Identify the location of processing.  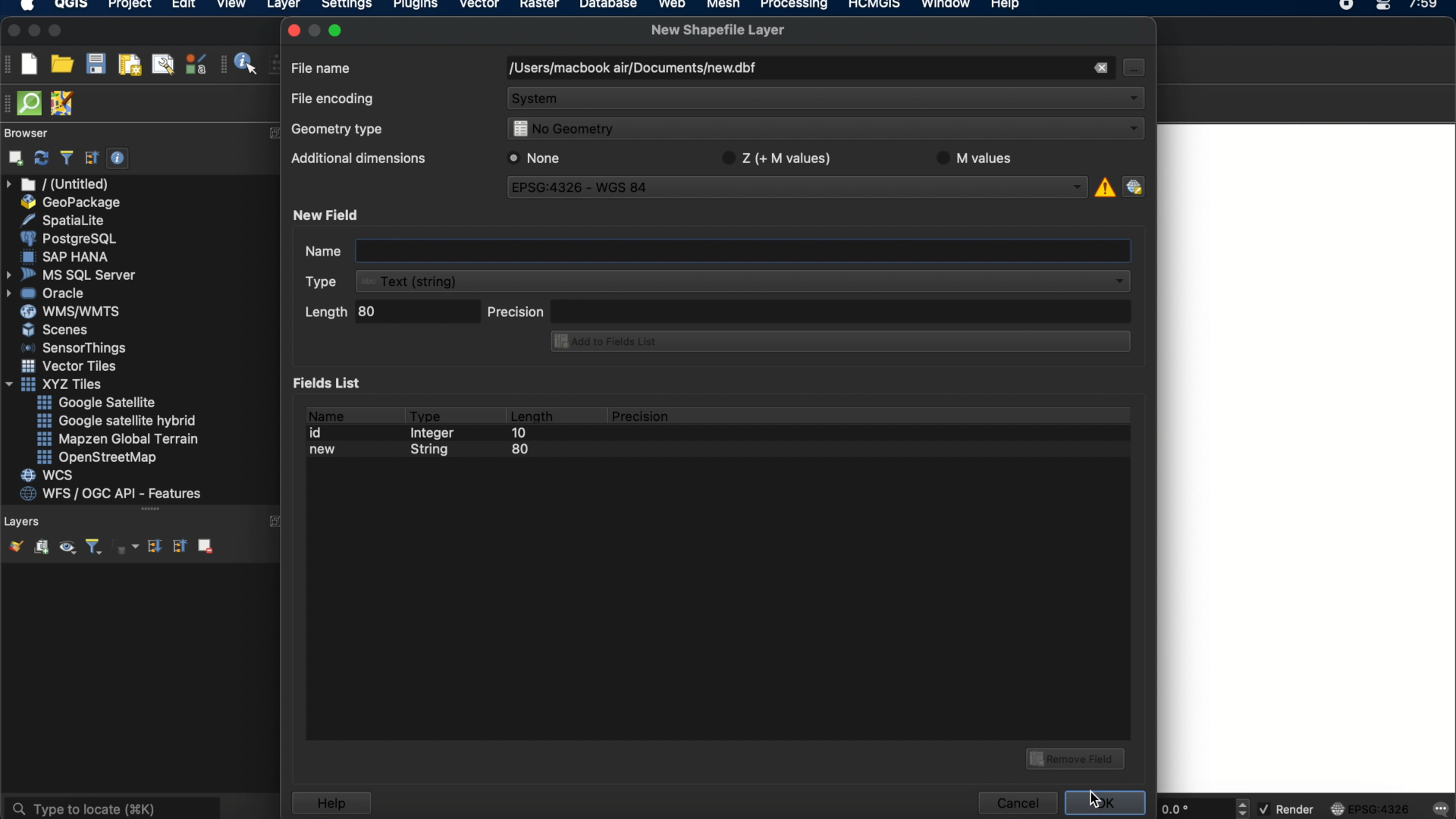
(798, 6).